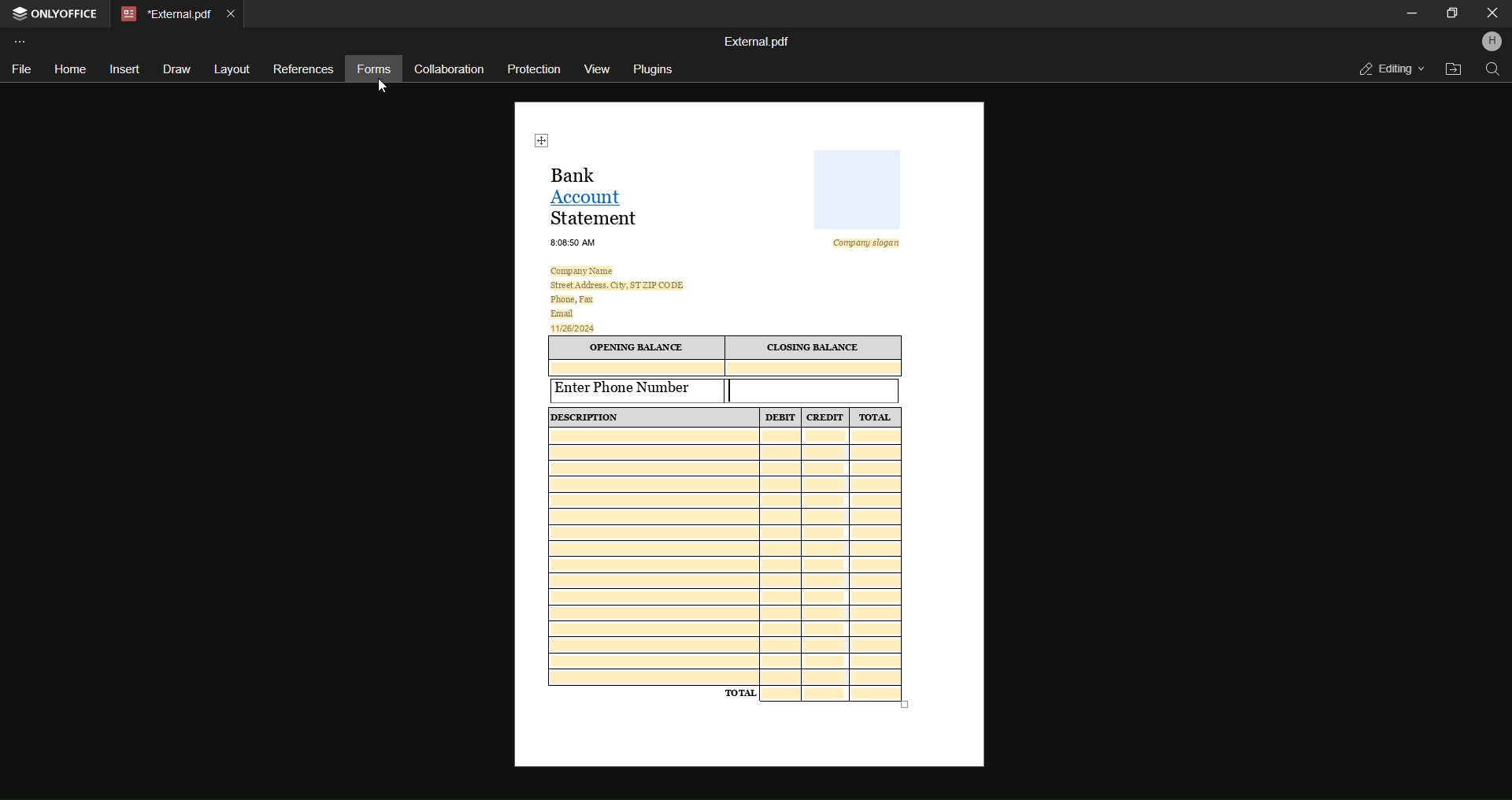 The image size is (1512, 800). Describe the element at coordinates (383, 87) in the screenshot. I see `cursor` at that location.